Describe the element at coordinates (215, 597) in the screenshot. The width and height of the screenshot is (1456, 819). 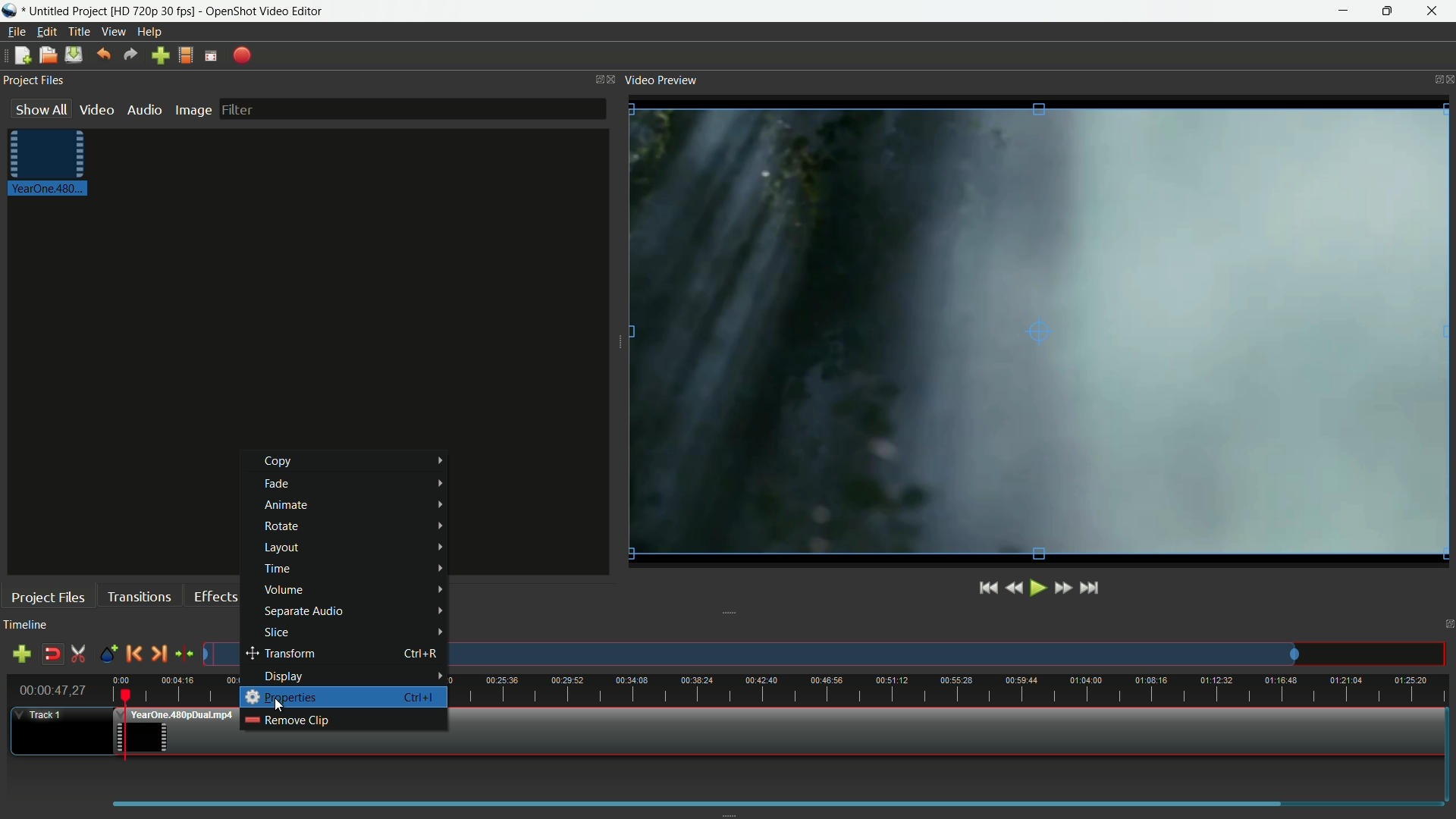
I see `effects` at that location.